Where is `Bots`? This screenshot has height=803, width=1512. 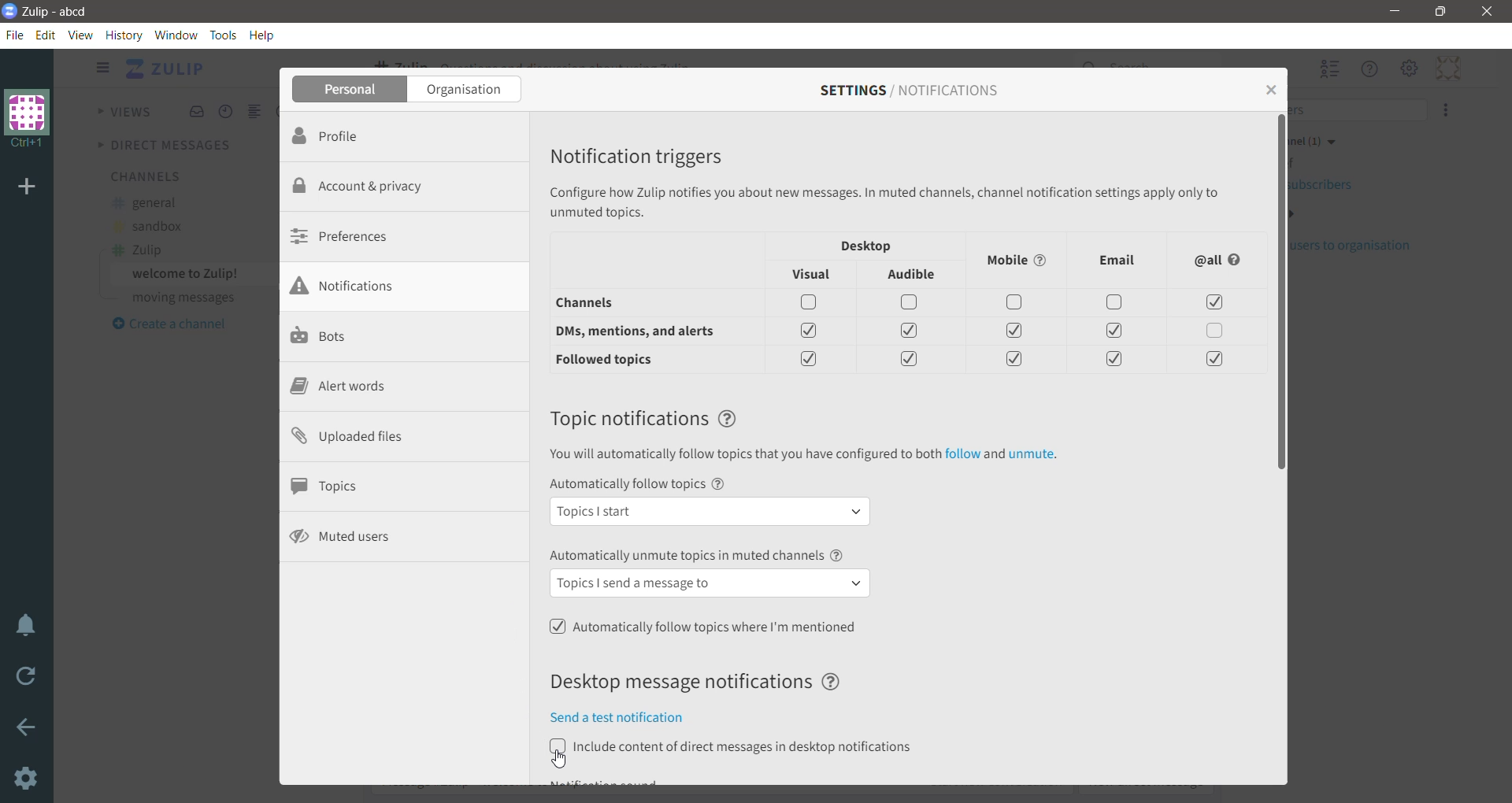 Bots is located at coordinates (322, 337).